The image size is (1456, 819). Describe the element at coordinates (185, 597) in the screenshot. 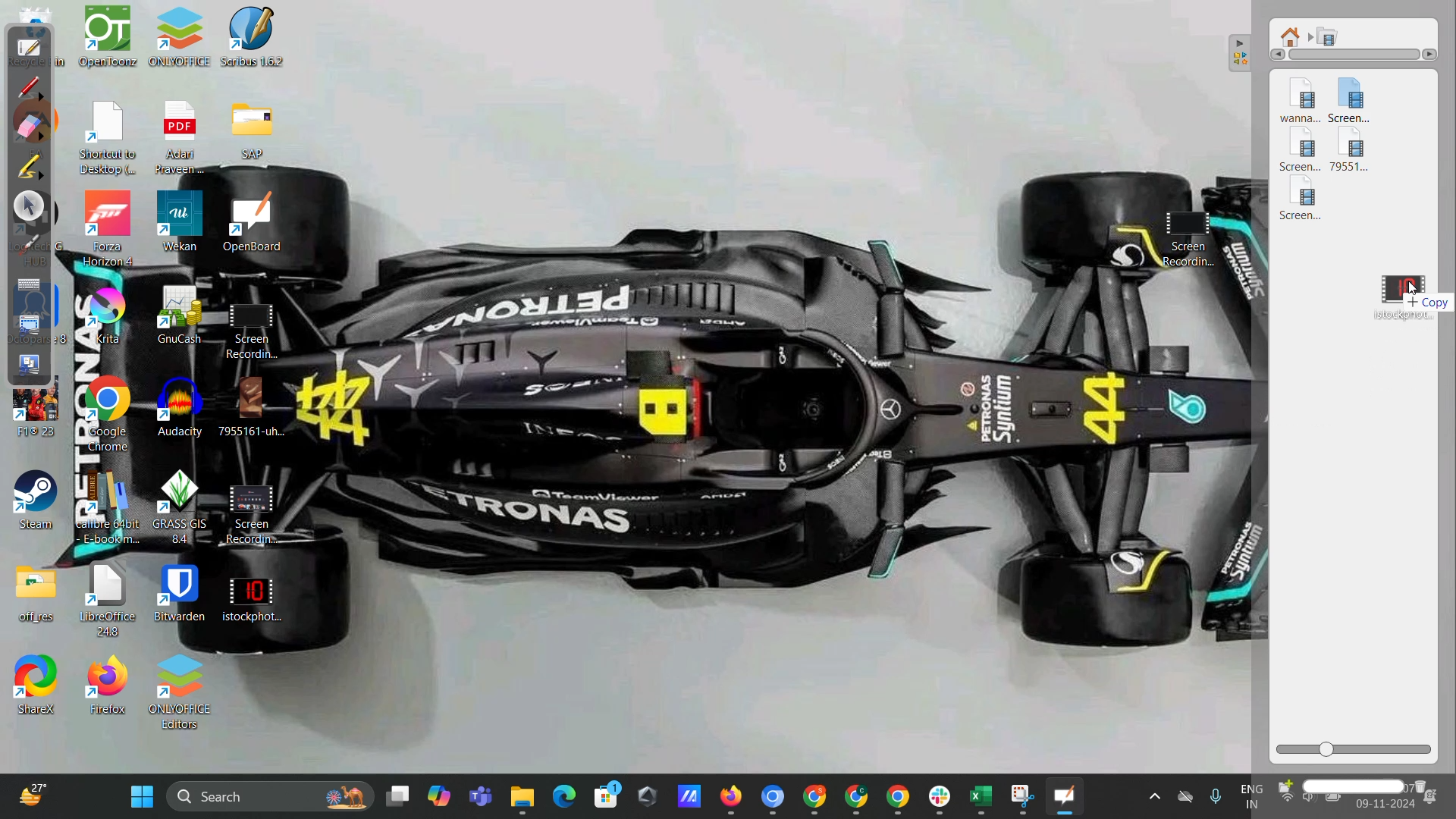

I see `Bitwarden` at that location.